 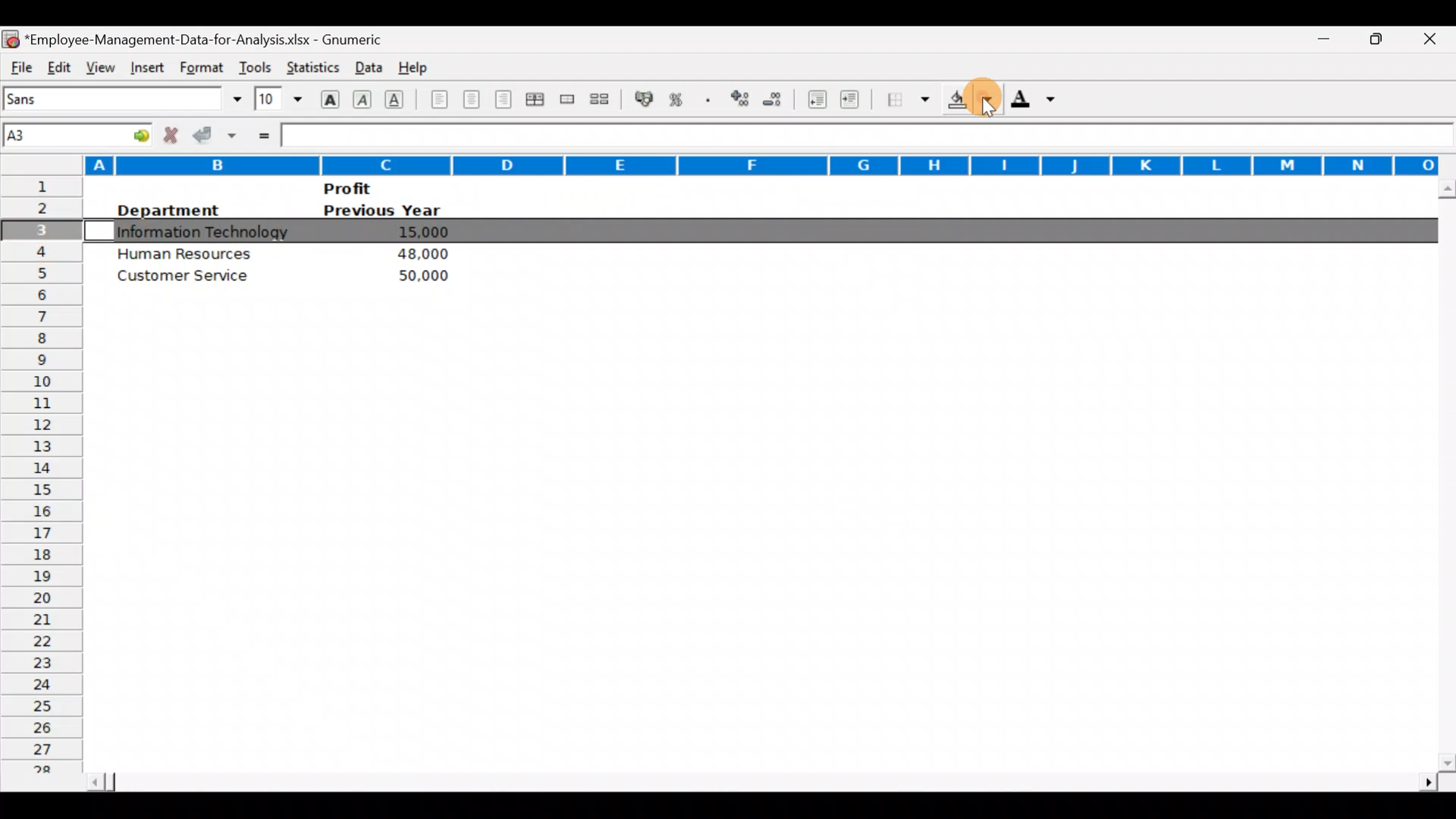 I want to click on Cancel change, so click(x=174, y=134).